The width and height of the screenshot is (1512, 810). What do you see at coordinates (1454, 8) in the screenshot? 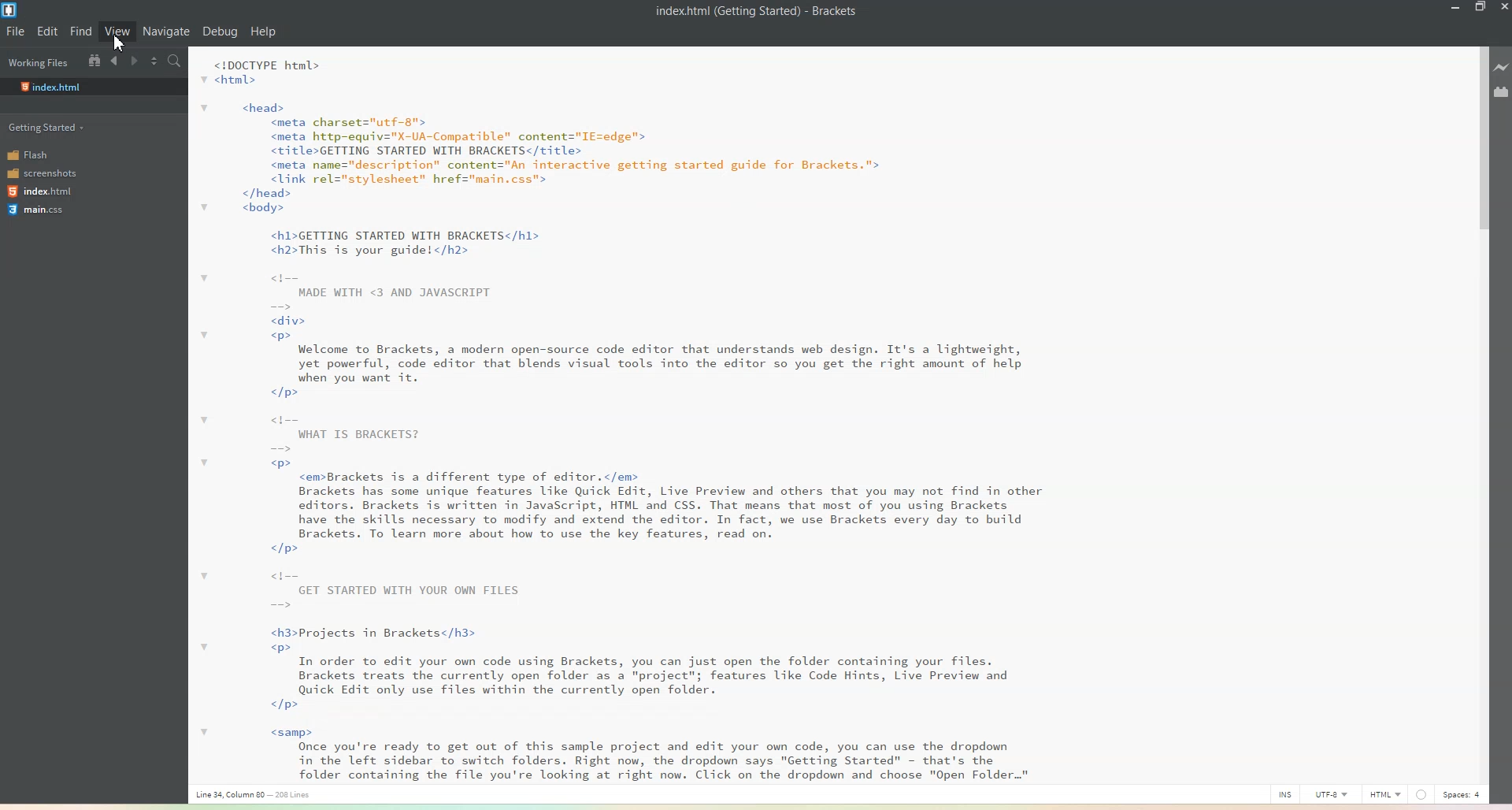
I see `Minimize` at bounding box center [1454, 8].